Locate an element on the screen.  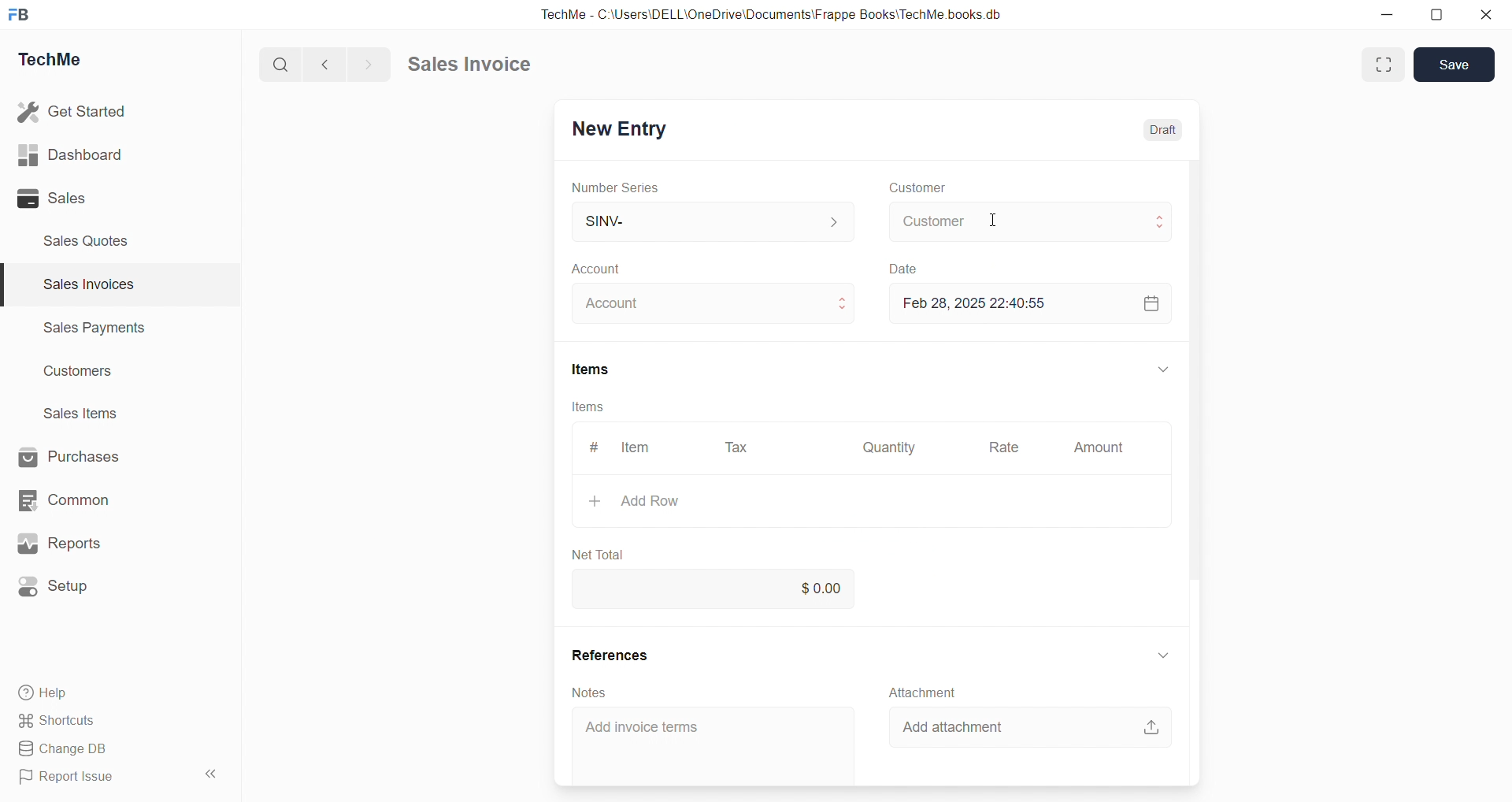
resize is located at coordinates (1436, 16).